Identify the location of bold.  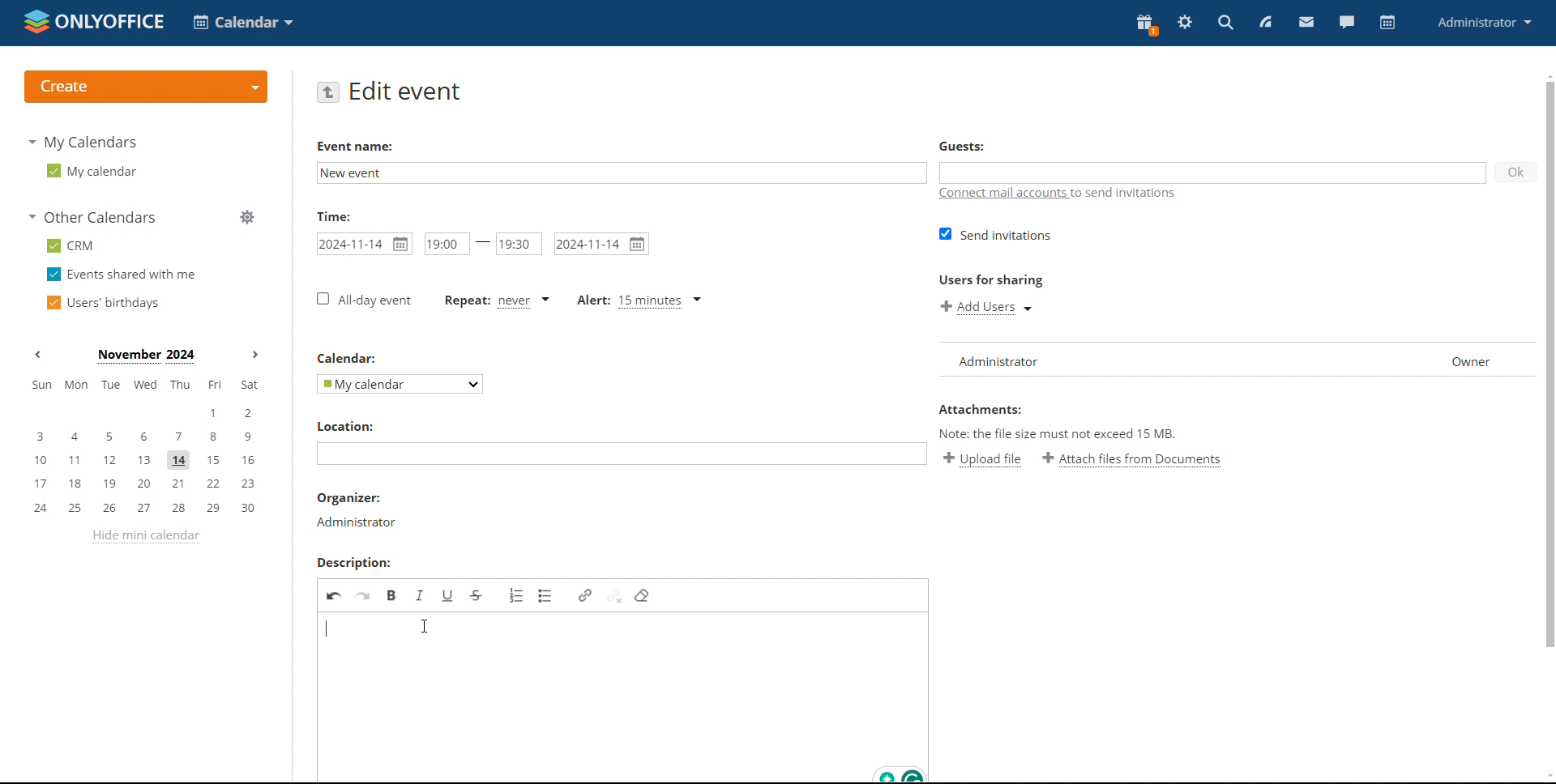
(392, 594).